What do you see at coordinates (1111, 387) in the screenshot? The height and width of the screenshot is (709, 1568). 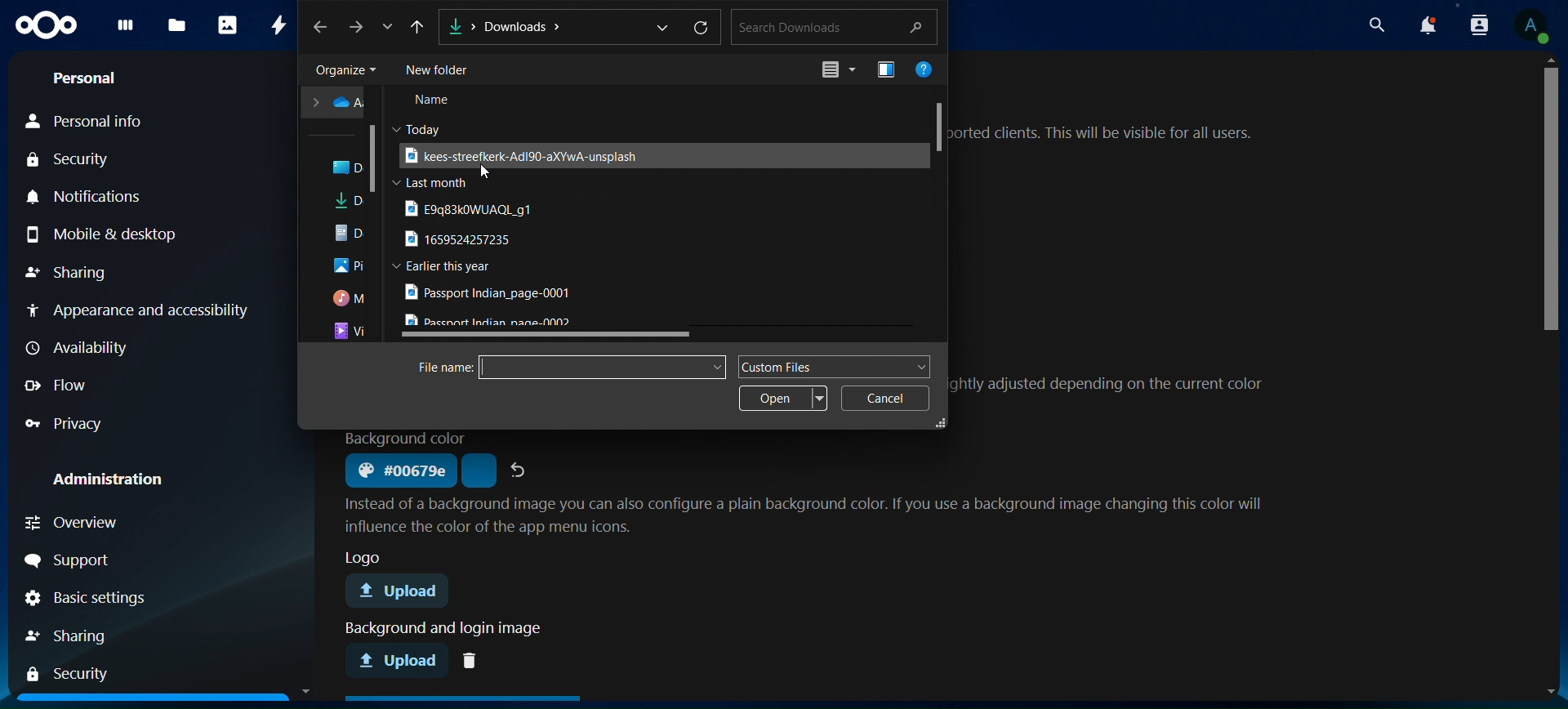 I see `text` at bounding box center [1111, 387].